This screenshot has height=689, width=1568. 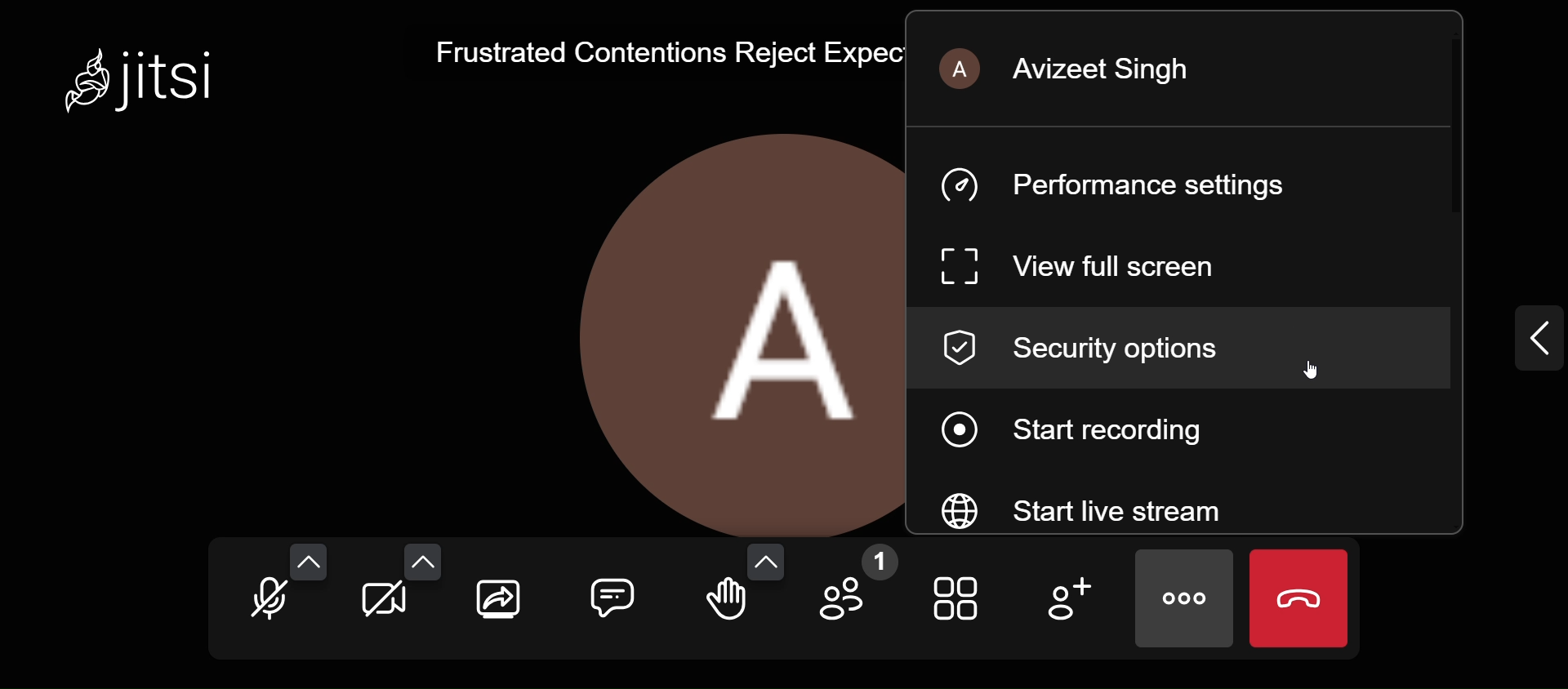 I want to click on Jitsi, so click(x=142, y=82).